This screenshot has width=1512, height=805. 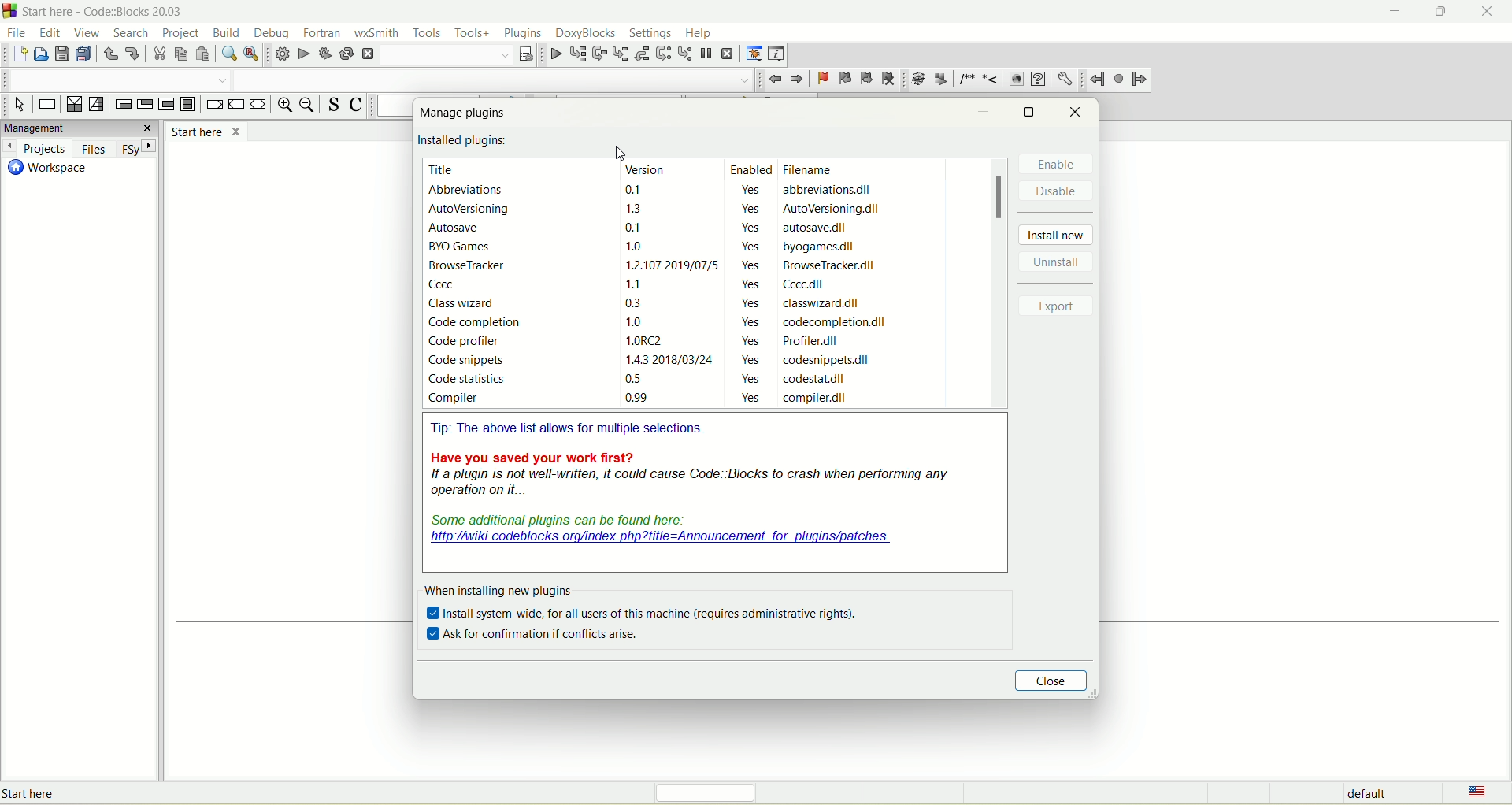 What do you see at coordinates (377, 33) in the screenshot?
I see `wzSmith` at bounding box center [377, 33].